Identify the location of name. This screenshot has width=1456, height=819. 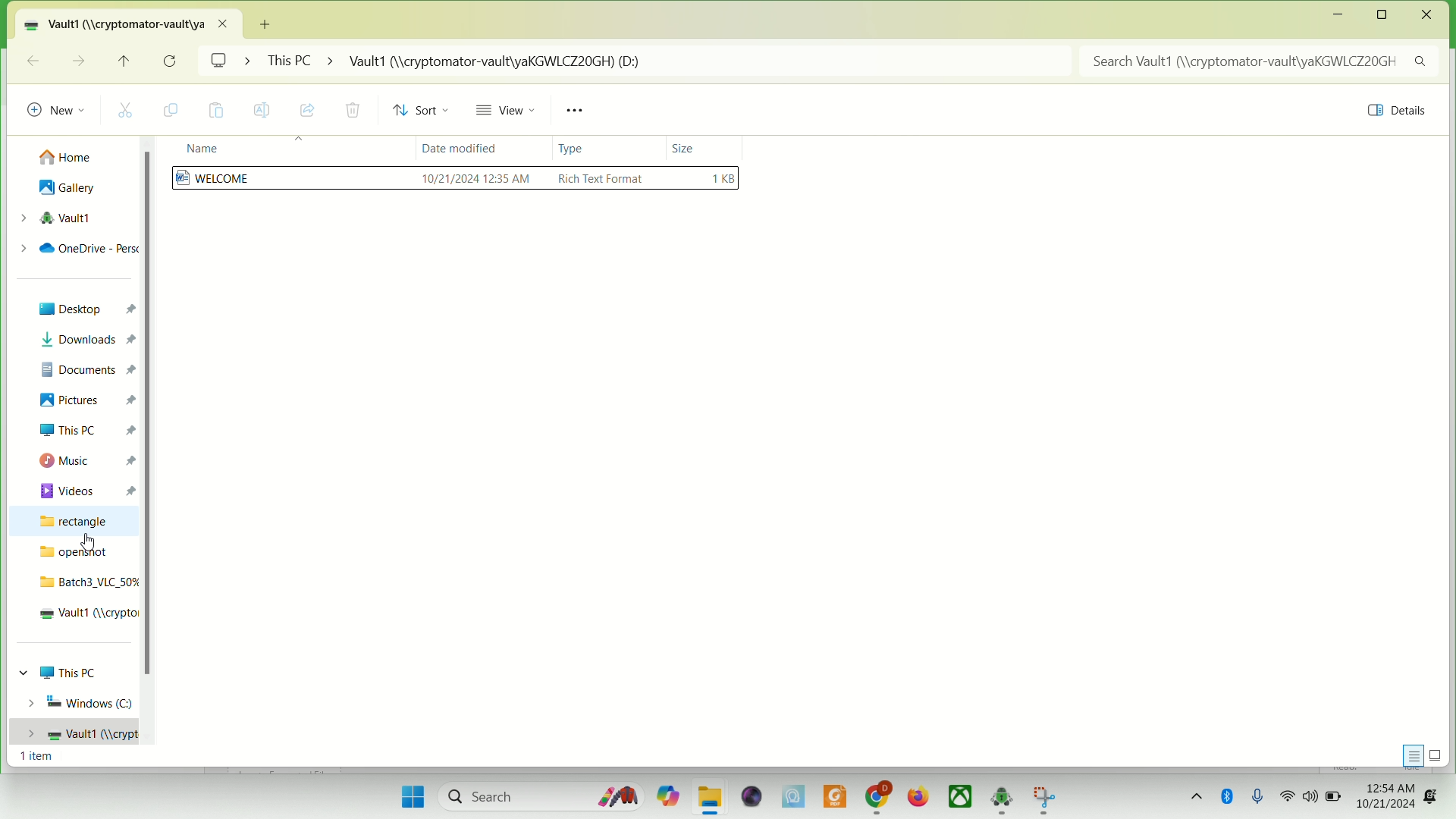
(198, 149).